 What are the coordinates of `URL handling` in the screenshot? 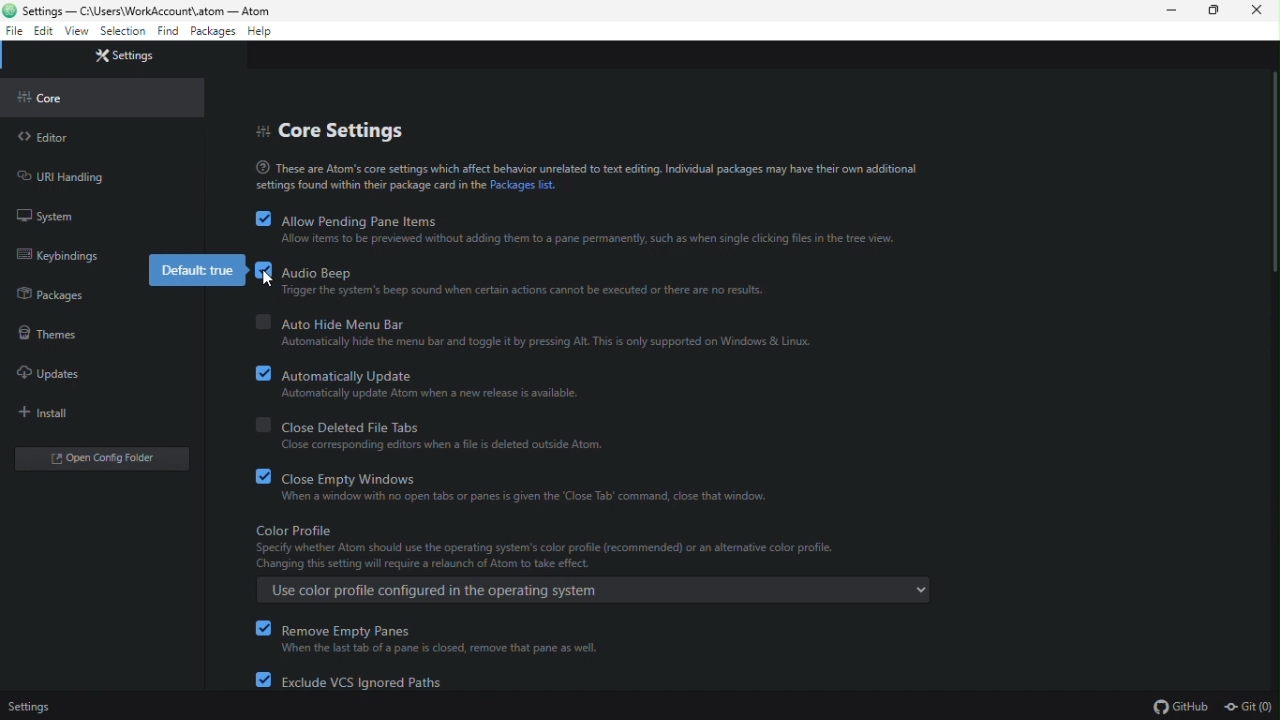 It's located at (74, 178).